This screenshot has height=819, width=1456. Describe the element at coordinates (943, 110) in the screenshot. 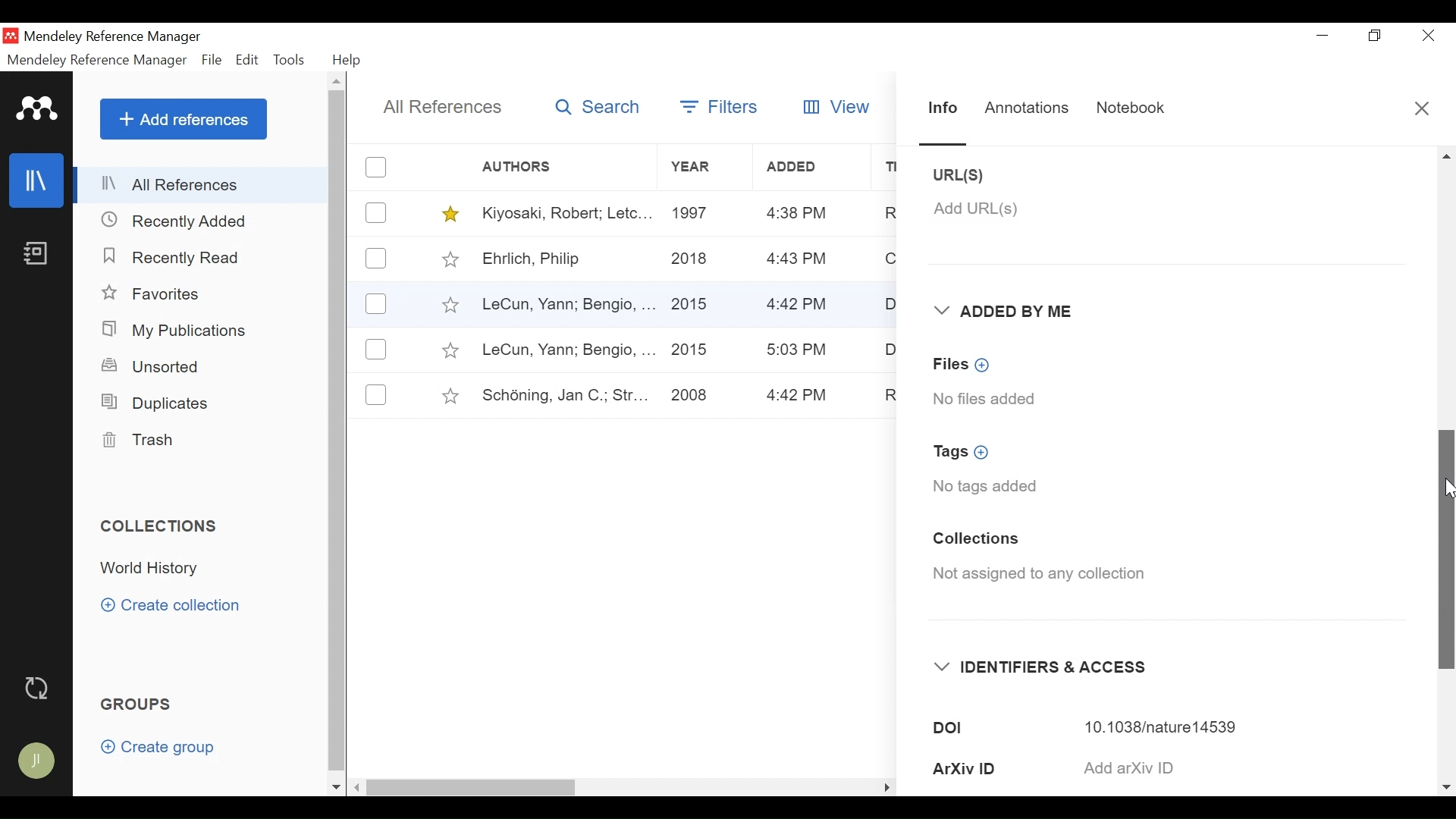

I see `Info` at that location.